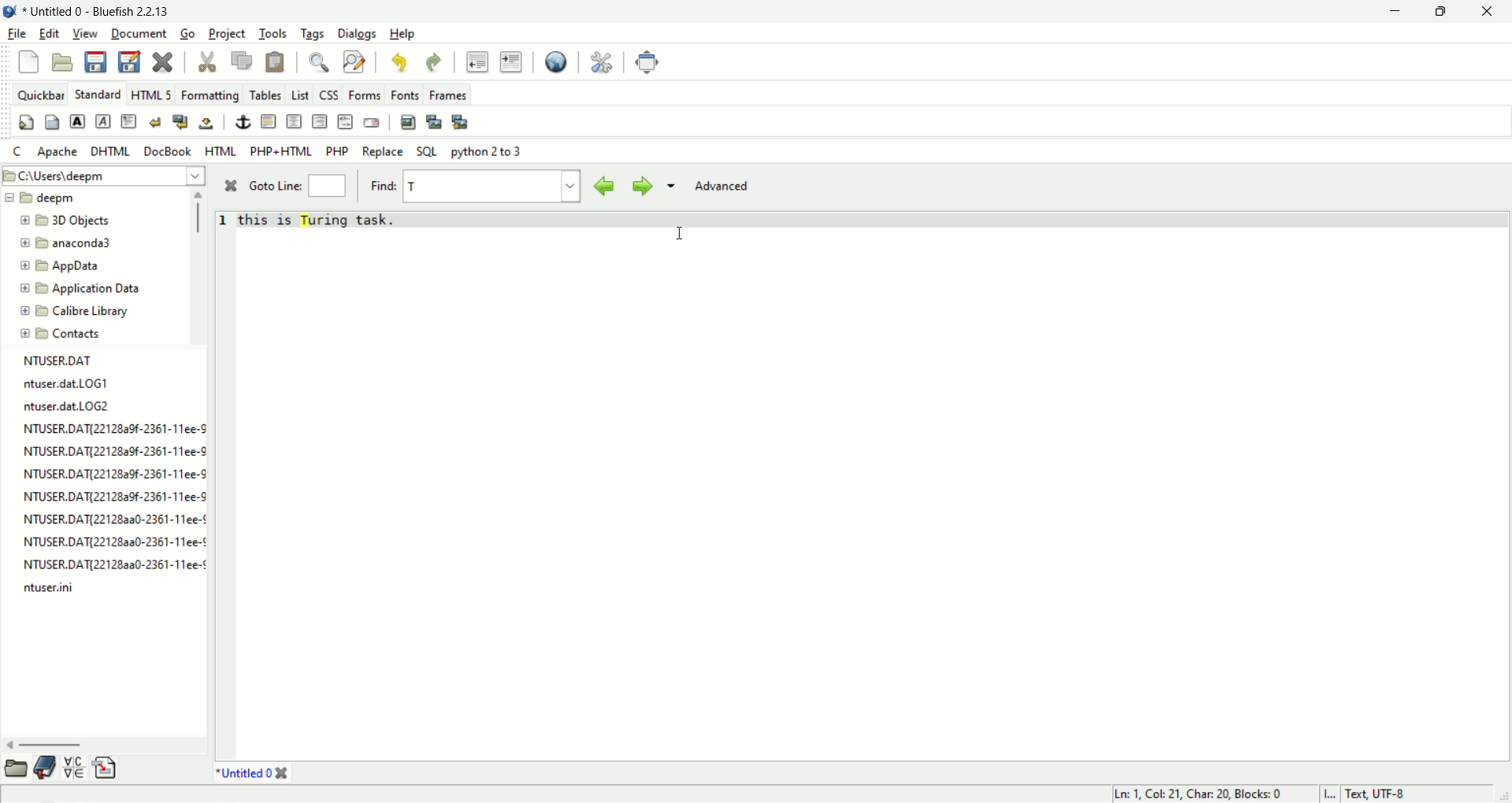  I want to click on close, so click(165, 64).